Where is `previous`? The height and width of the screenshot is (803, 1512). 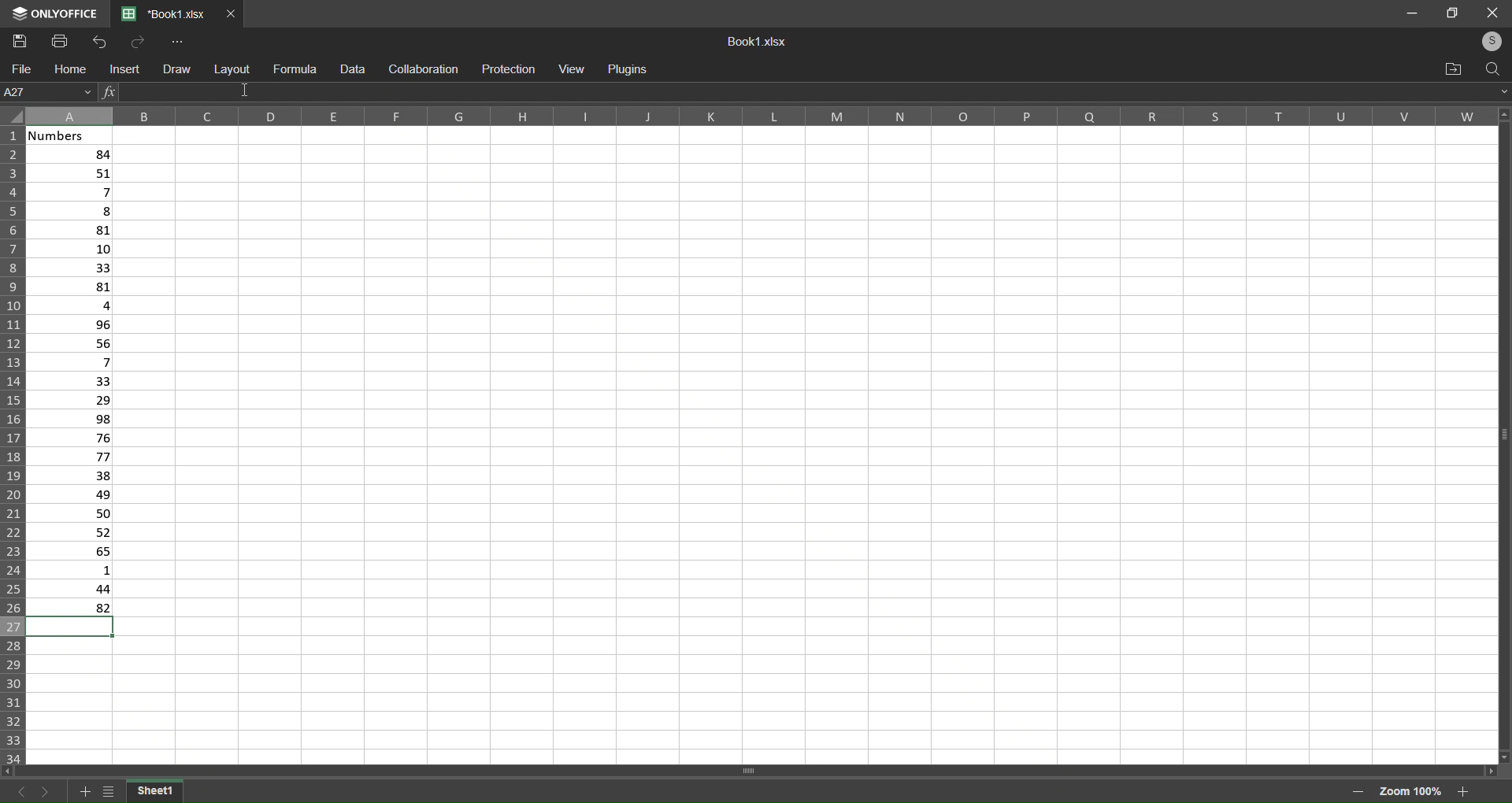 previous is located at coordinates (15, 789).